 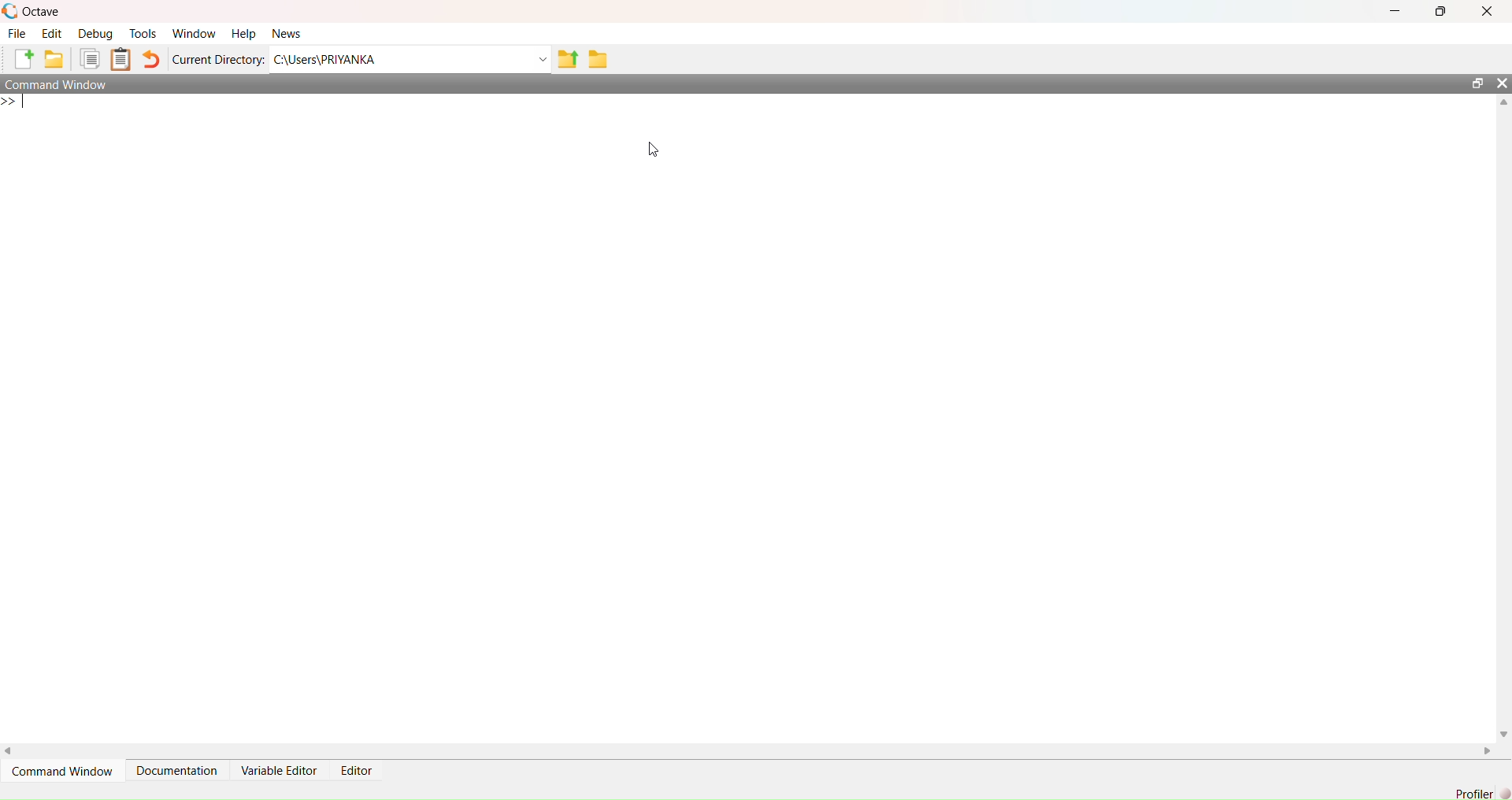 I want to click on Editor, so click(x=356, y=771).